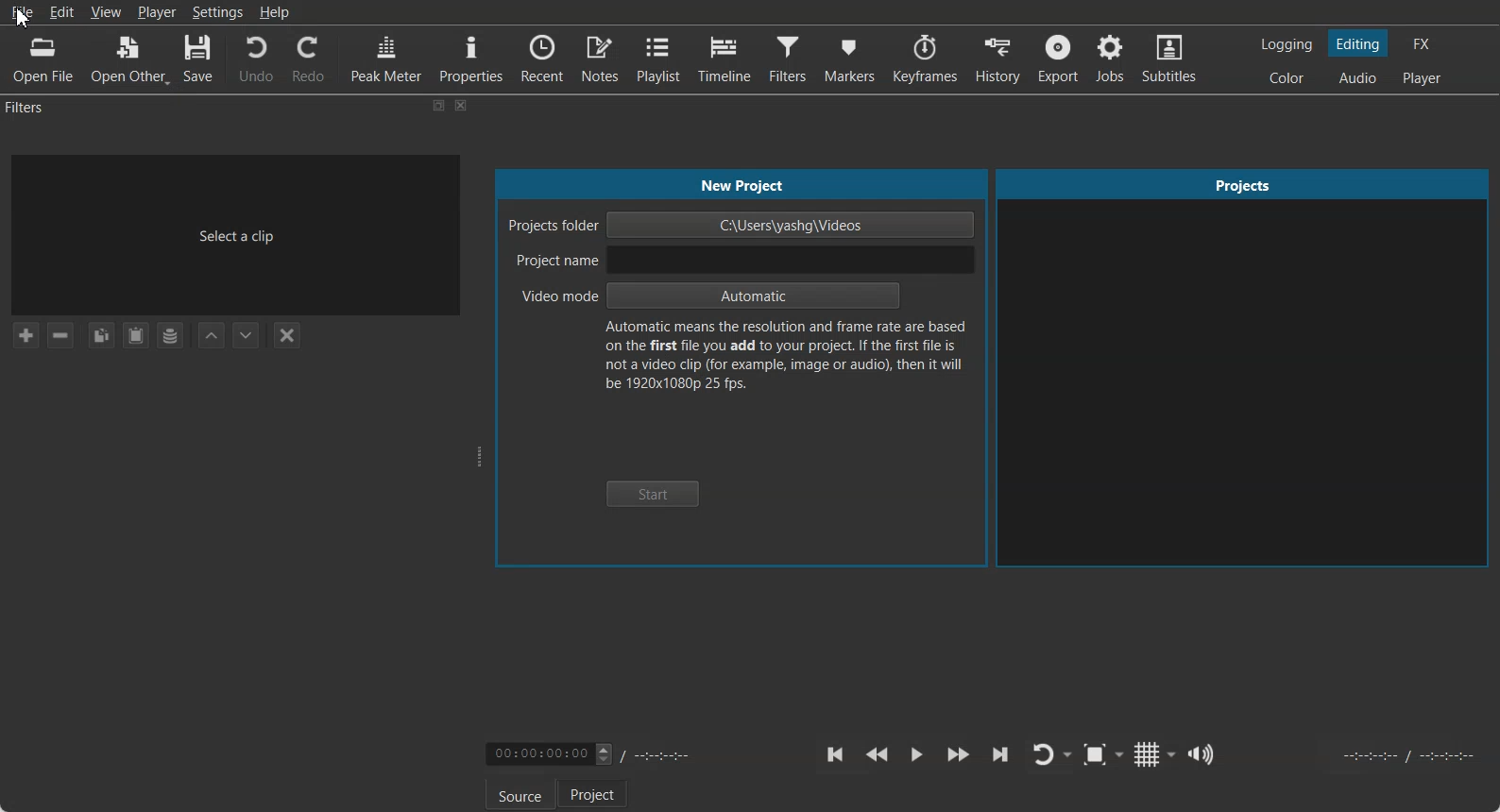 This screenshot has width=1500, height=812. I want to click on Switching to the Audio layout, so click(1359, 78).